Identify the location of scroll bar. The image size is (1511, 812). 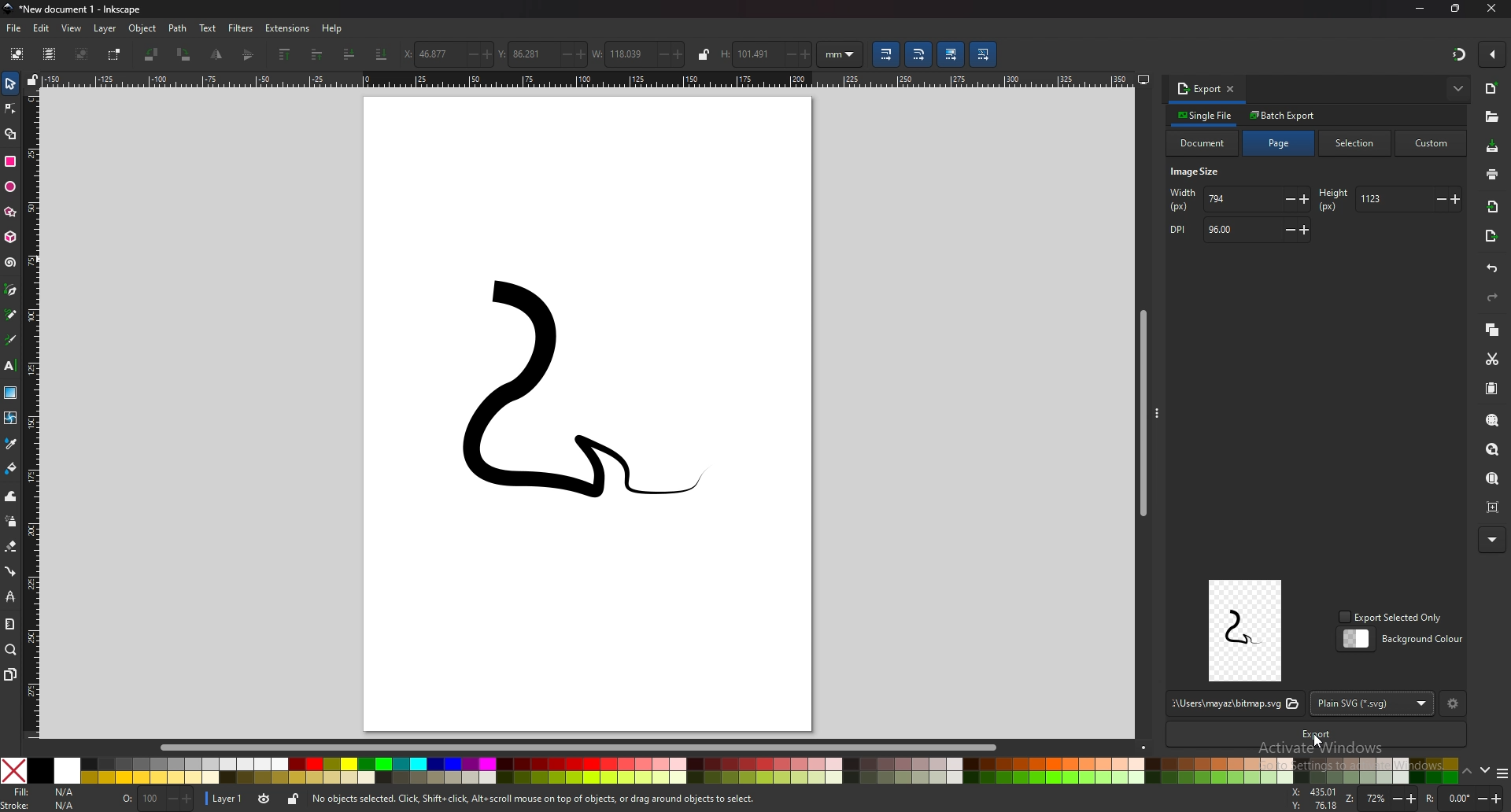
(1140, 410).